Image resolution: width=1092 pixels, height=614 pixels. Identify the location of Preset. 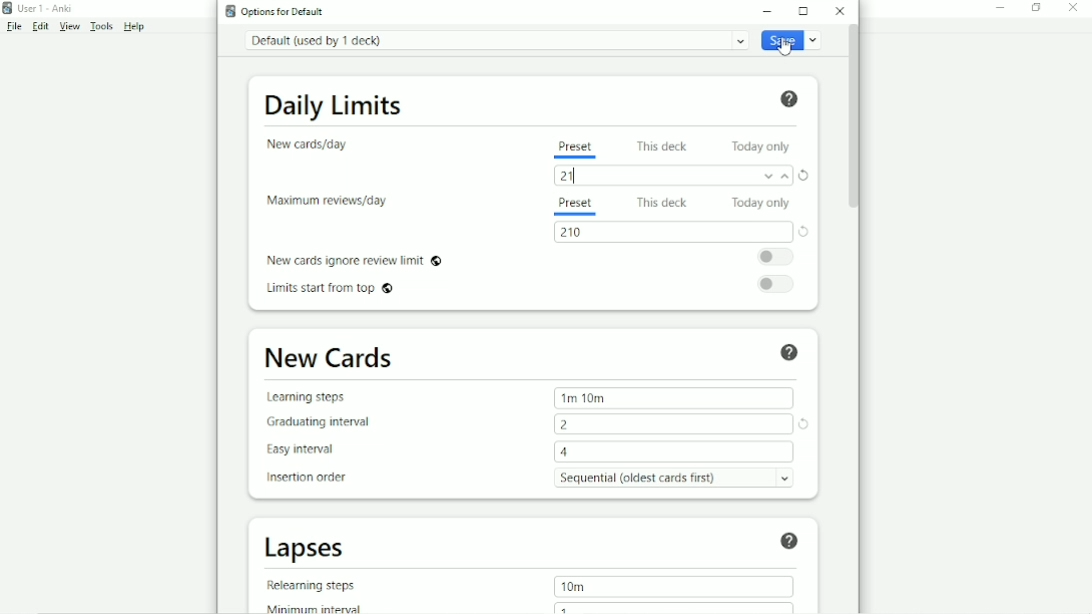
(574, 207).